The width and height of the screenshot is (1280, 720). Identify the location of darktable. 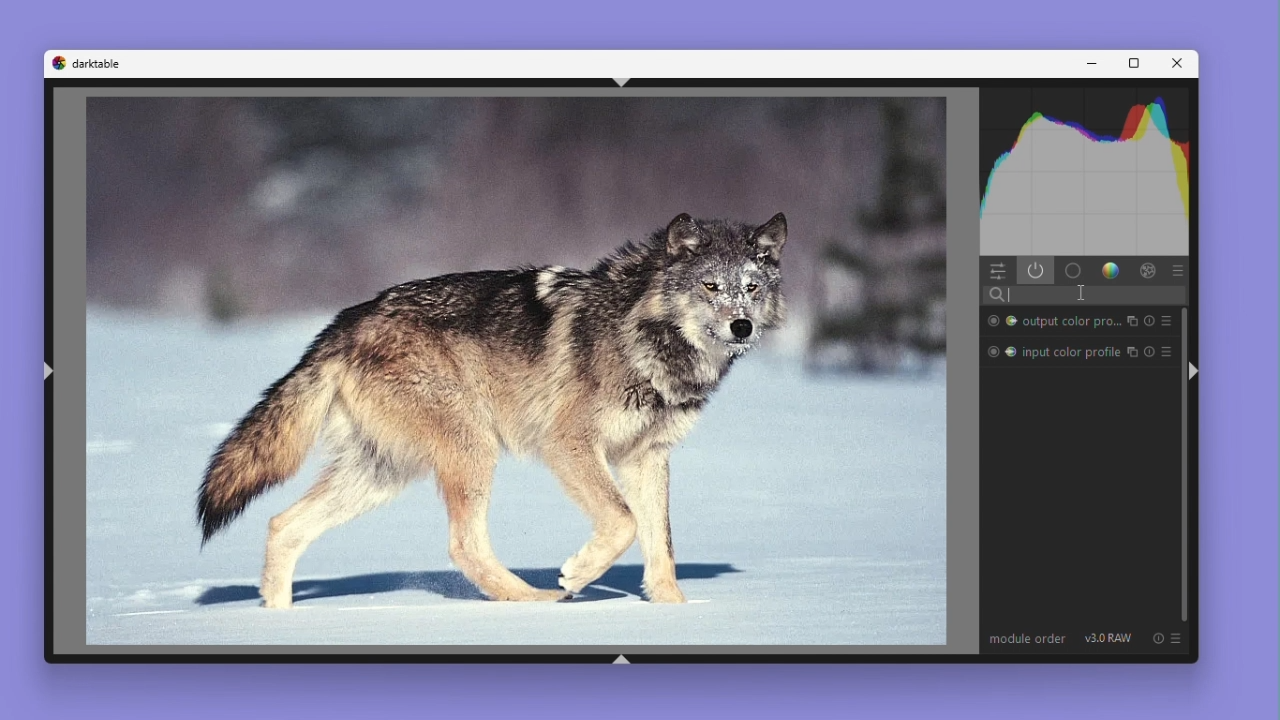
(99, 63).